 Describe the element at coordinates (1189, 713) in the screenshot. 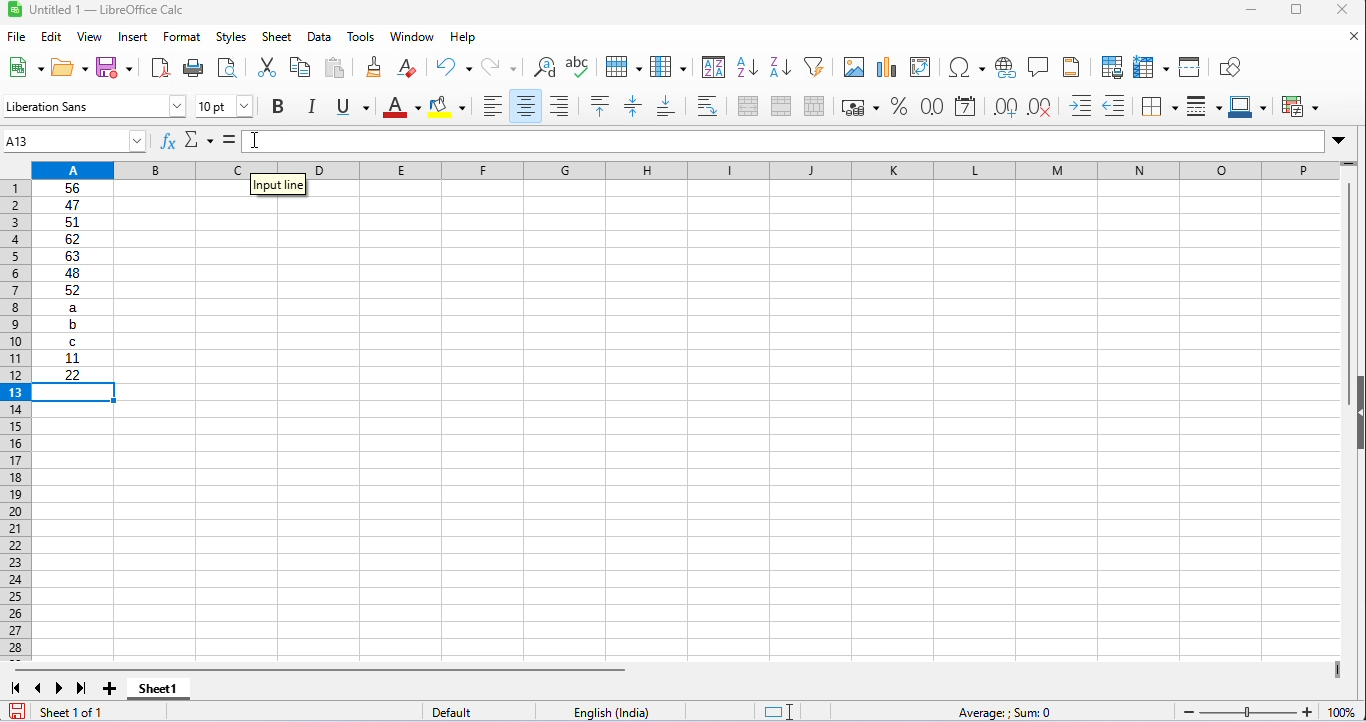

I see `Zoom out` at that location.